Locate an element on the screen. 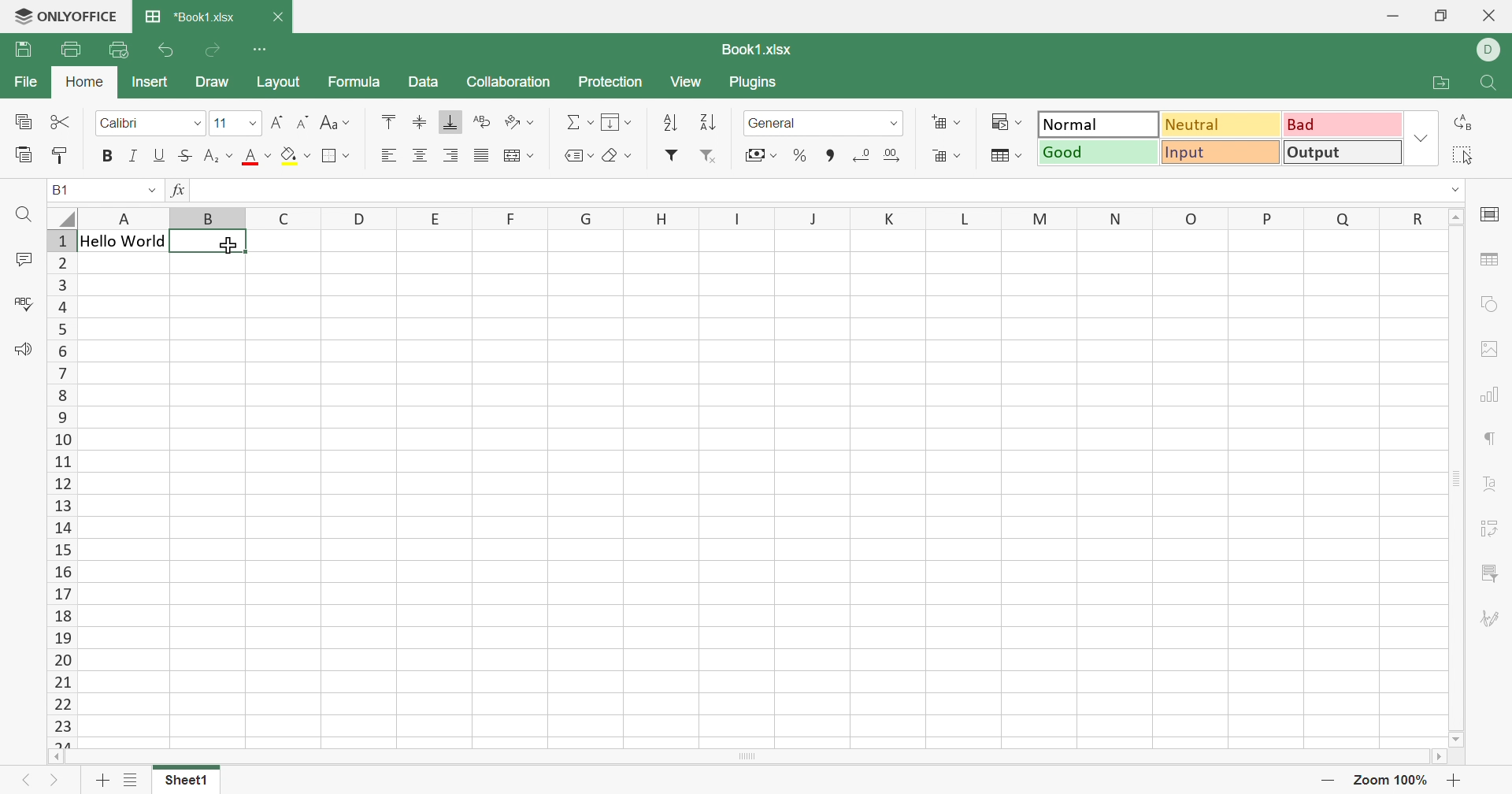 This screenshot has width=1512, height=794. Draw is located at coordinates (207, 82).